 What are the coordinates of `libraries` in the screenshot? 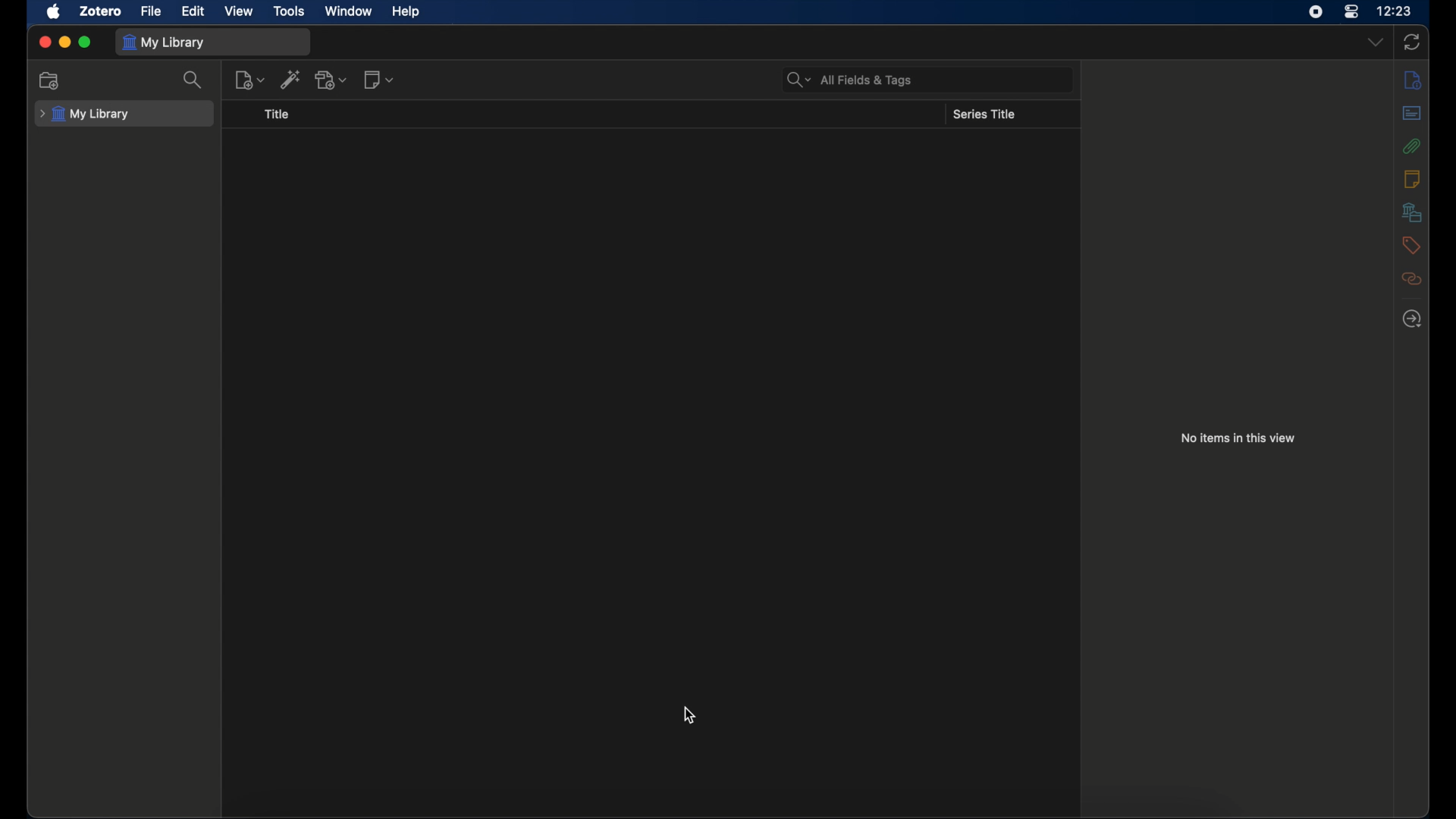 It's located at (1411, 212).